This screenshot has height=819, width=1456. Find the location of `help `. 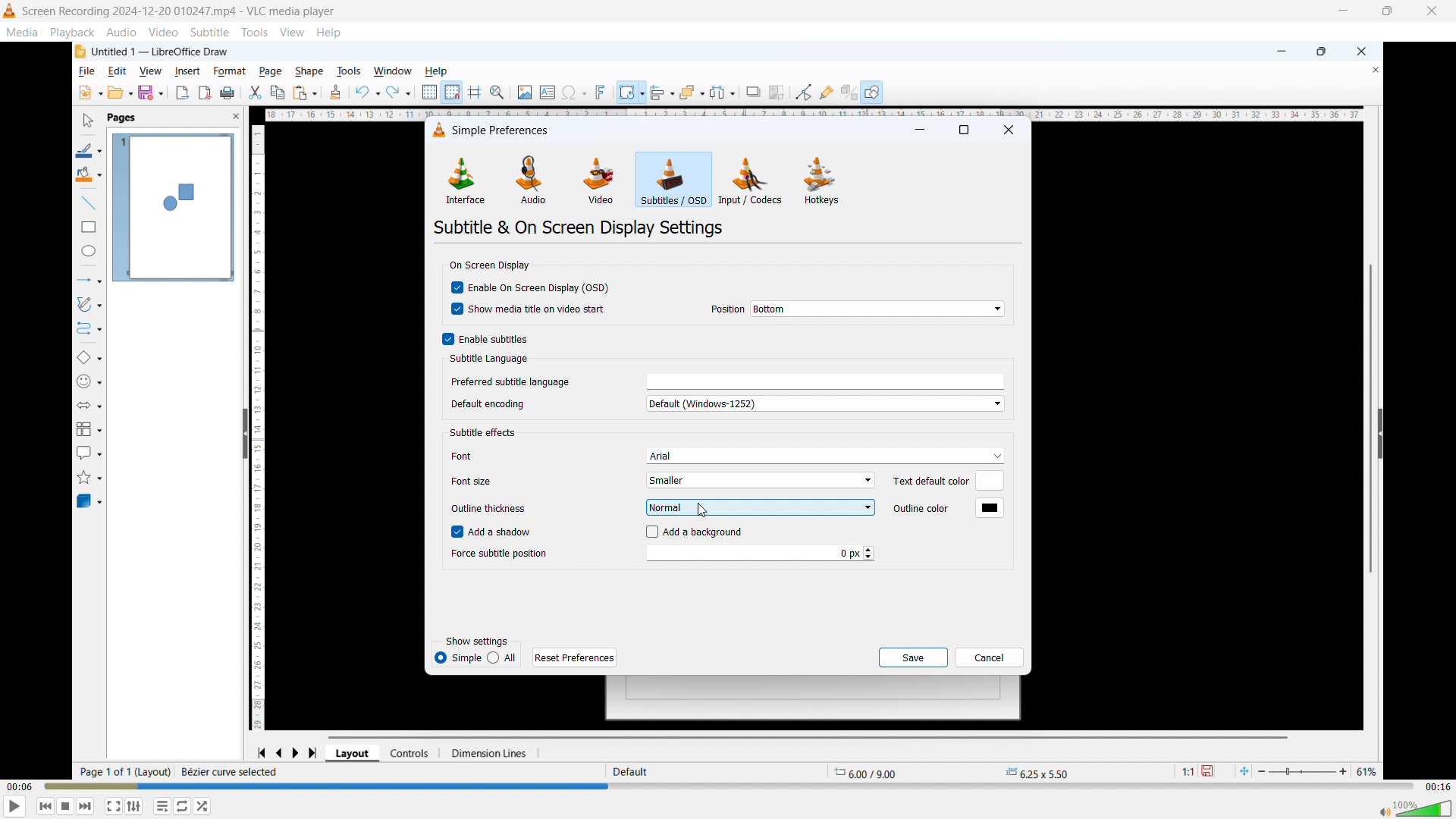

help  is located at coordinates (330, 33).